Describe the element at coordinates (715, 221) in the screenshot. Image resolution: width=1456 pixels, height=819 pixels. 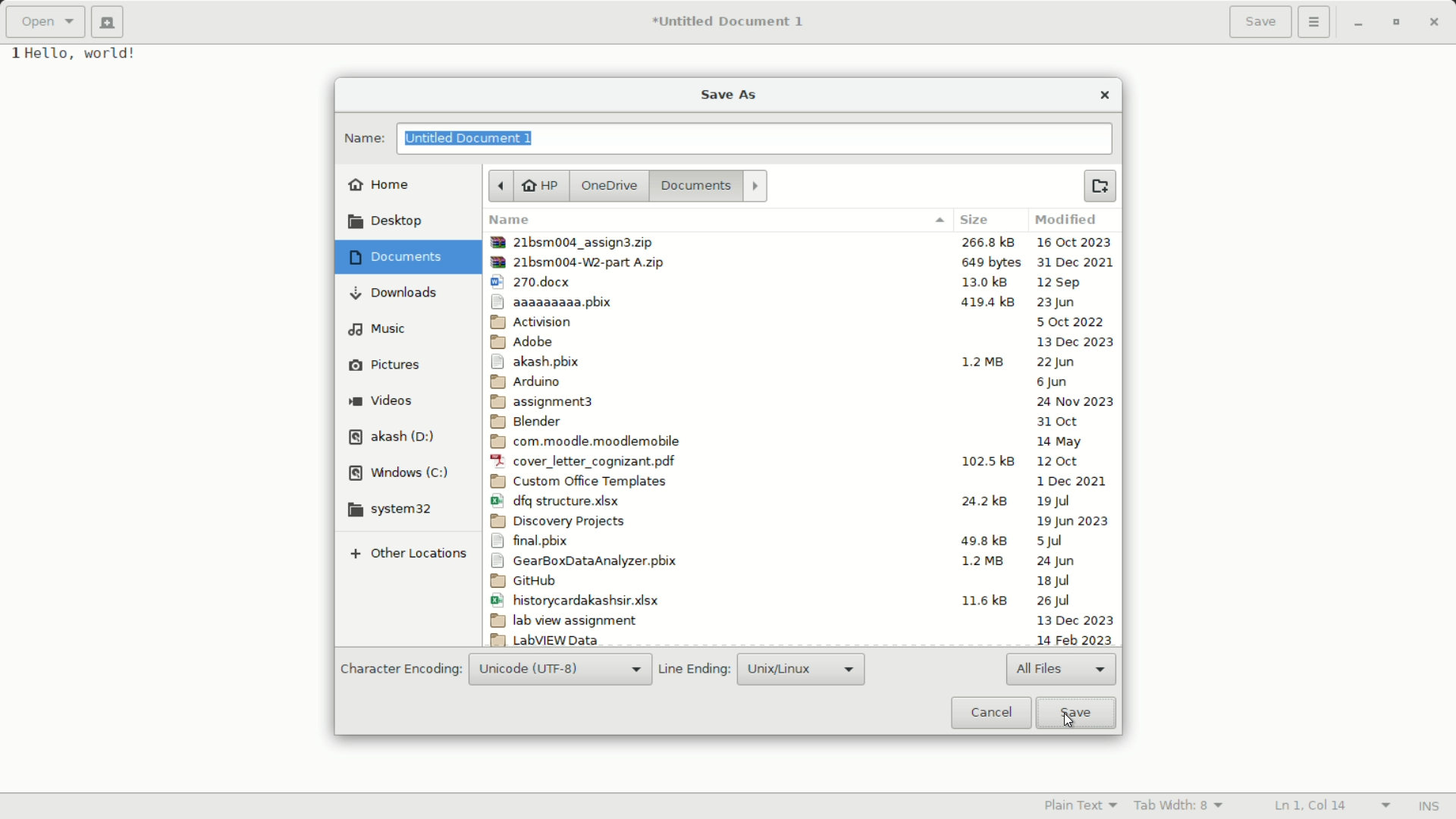
I see `name` at that location.